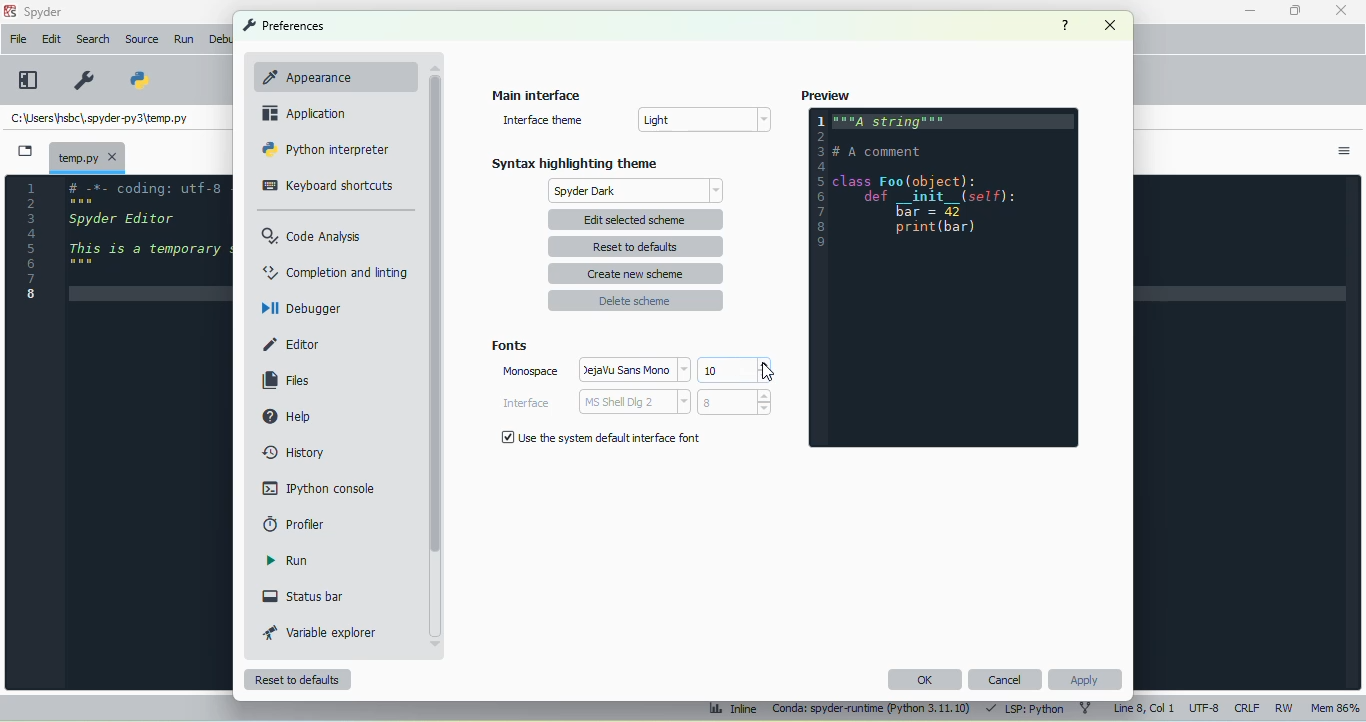  Describe the element at coordinates (327, 149) in the screenshot. I see `python interpreter` at that location.